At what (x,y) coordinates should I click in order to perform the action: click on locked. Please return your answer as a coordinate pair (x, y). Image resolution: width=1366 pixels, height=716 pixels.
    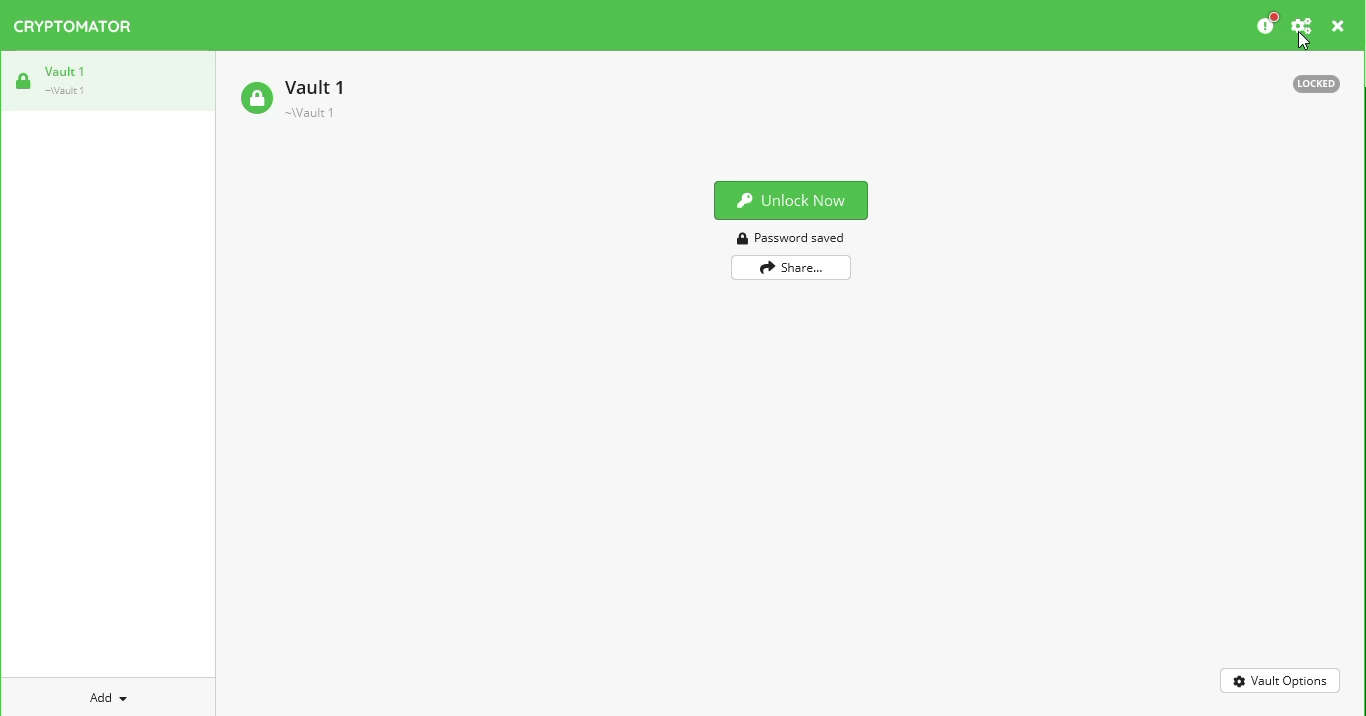
    Looking at the image, I should click on (1317, 84).